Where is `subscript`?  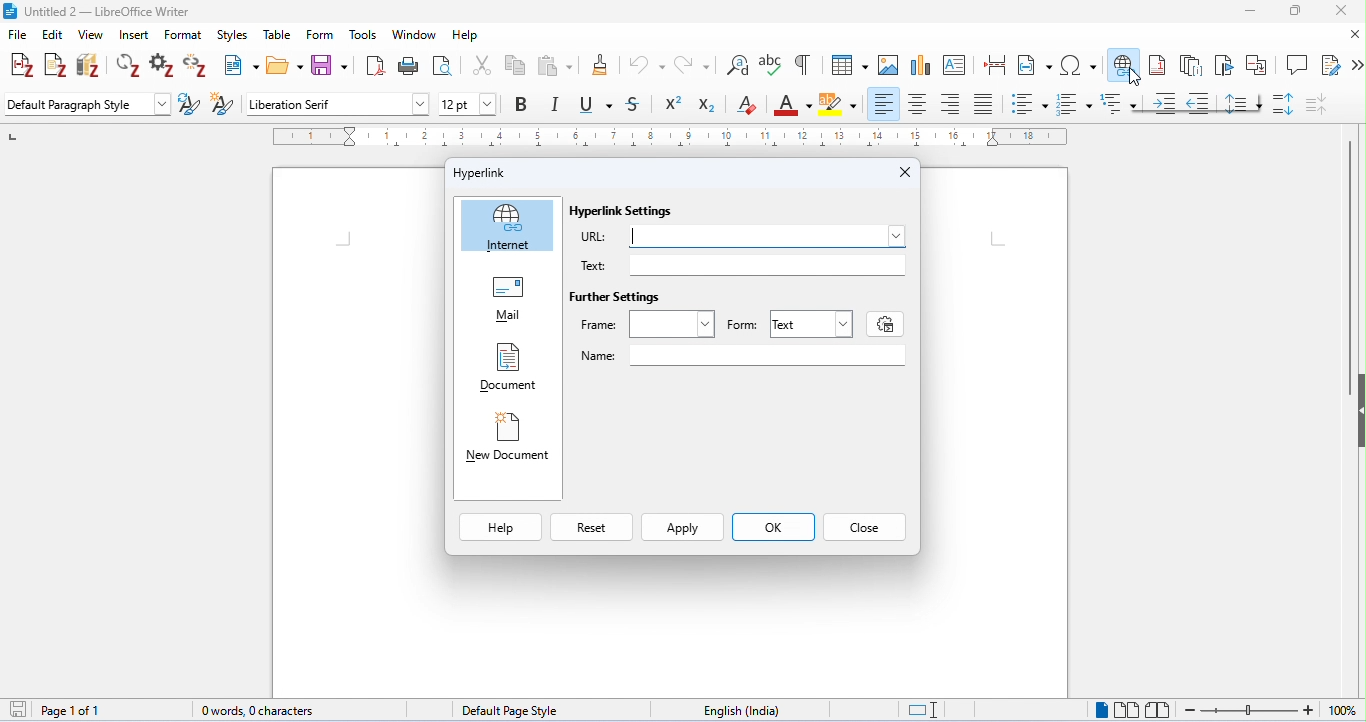 subscript is located at coordinates (709, 104).